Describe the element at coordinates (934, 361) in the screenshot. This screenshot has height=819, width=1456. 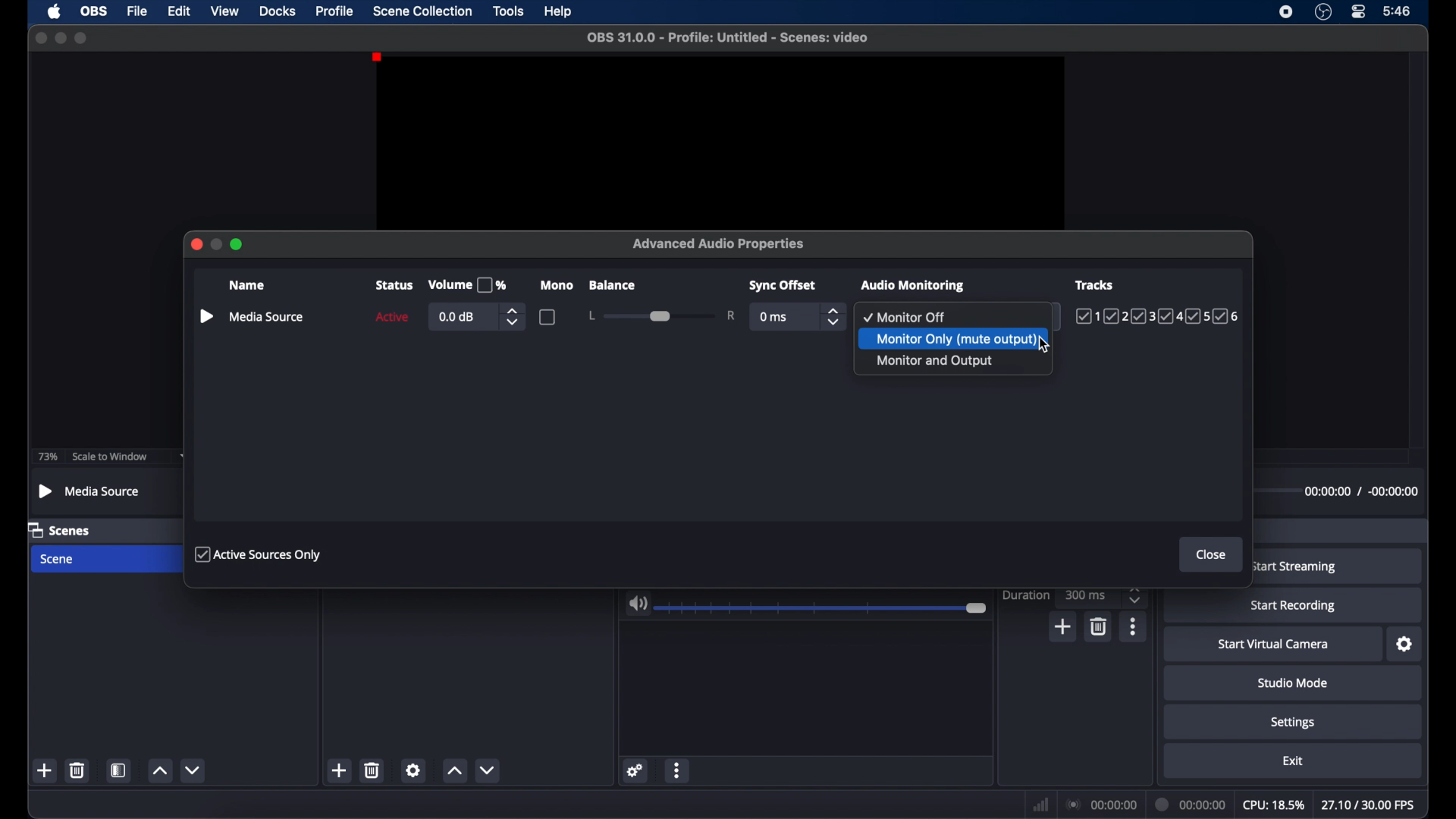
I see `monitor and output` at that location.